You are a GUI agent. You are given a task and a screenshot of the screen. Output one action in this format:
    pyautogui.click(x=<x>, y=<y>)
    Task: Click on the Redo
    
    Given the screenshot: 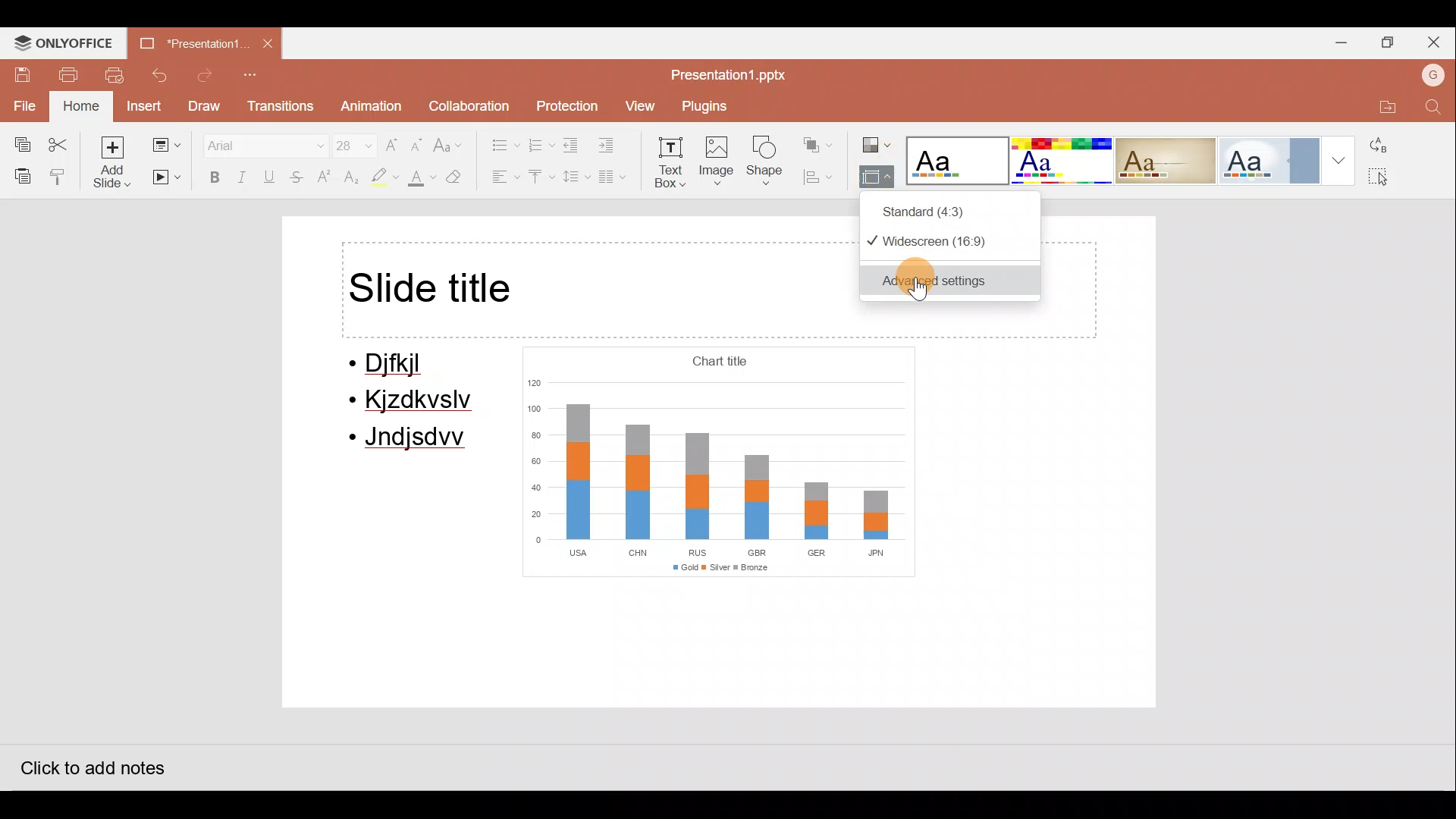 What is the action you would take?
    pyautogui.click(x=206, y=76)
    